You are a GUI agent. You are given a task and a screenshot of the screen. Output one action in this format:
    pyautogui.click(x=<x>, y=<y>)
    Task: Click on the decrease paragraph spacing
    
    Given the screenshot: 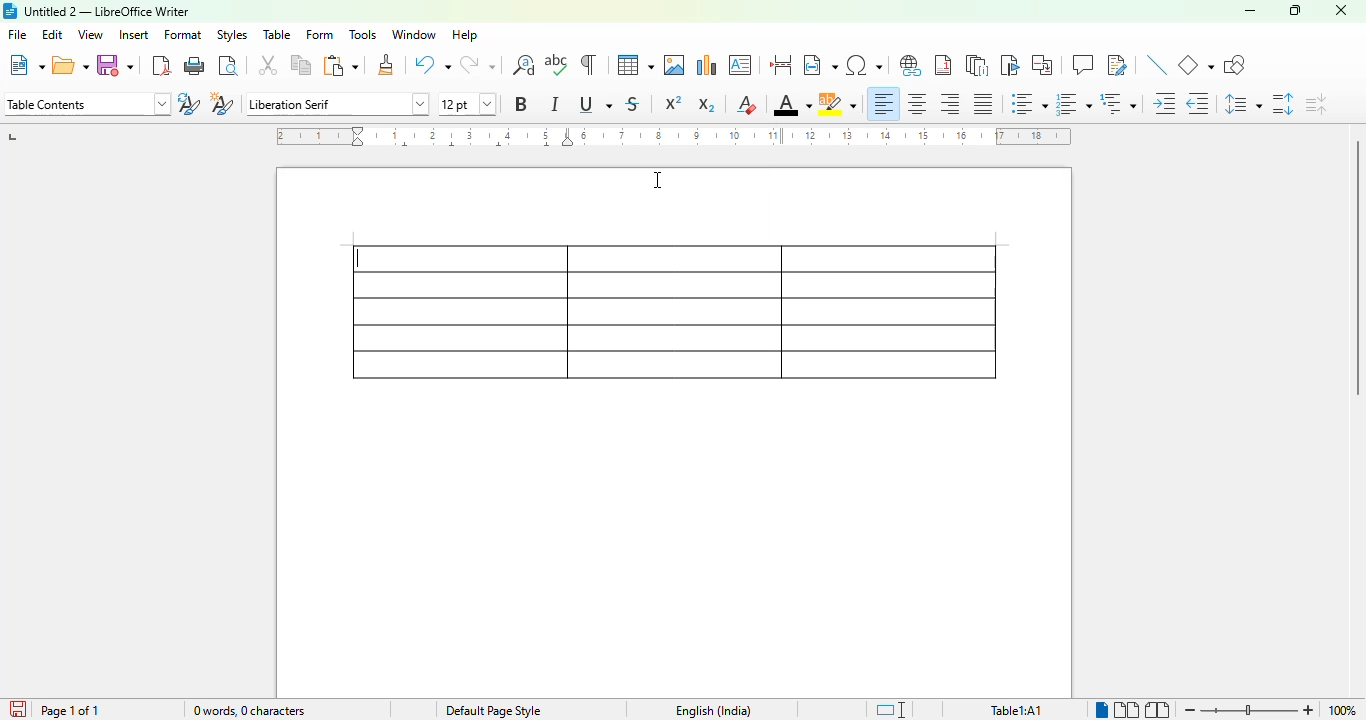 What is the action you would take?
    pyautogui.click(x=1316, y=104)
    